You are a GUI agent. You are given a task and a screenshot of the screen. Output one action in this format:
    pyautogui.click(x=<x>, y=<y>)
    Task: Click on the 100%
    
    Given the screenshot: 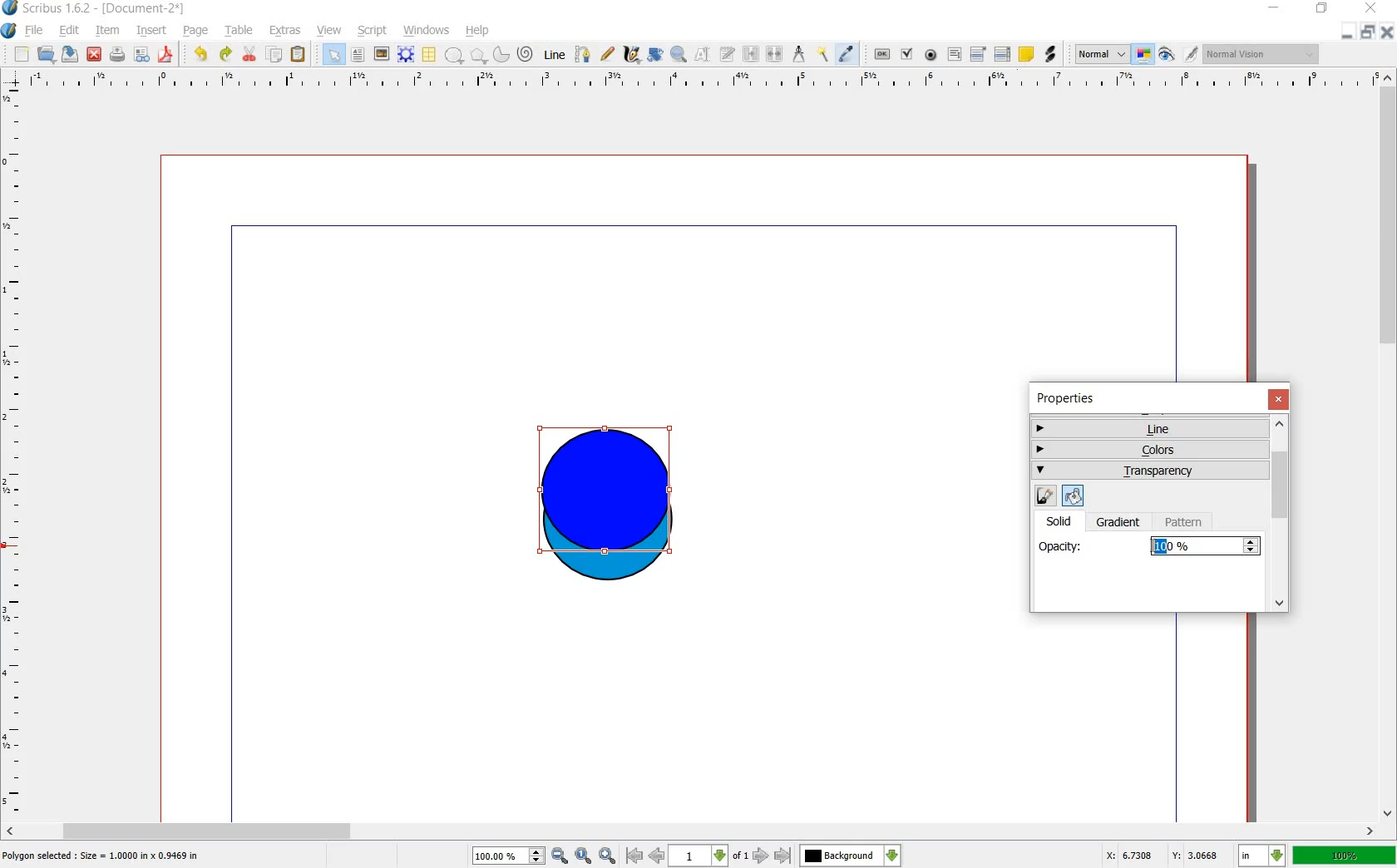 What is the action you would take?
    pyautogui.click(x=1194, y=546)
    